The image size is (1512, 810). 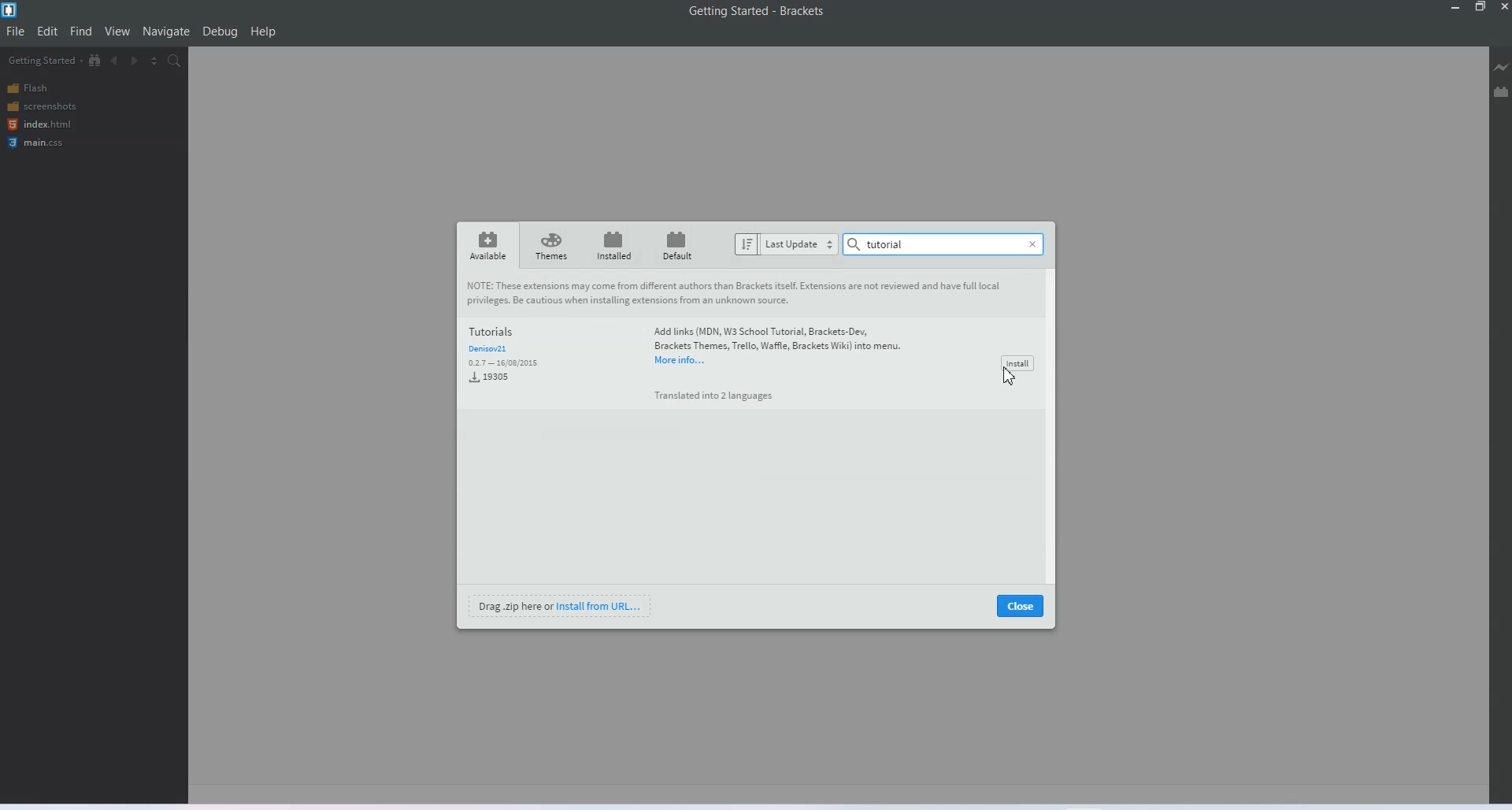 What do you see at coordinates (43, 61) in the screenshot?
I see `Getting Started` at bounding box center [43, 61].